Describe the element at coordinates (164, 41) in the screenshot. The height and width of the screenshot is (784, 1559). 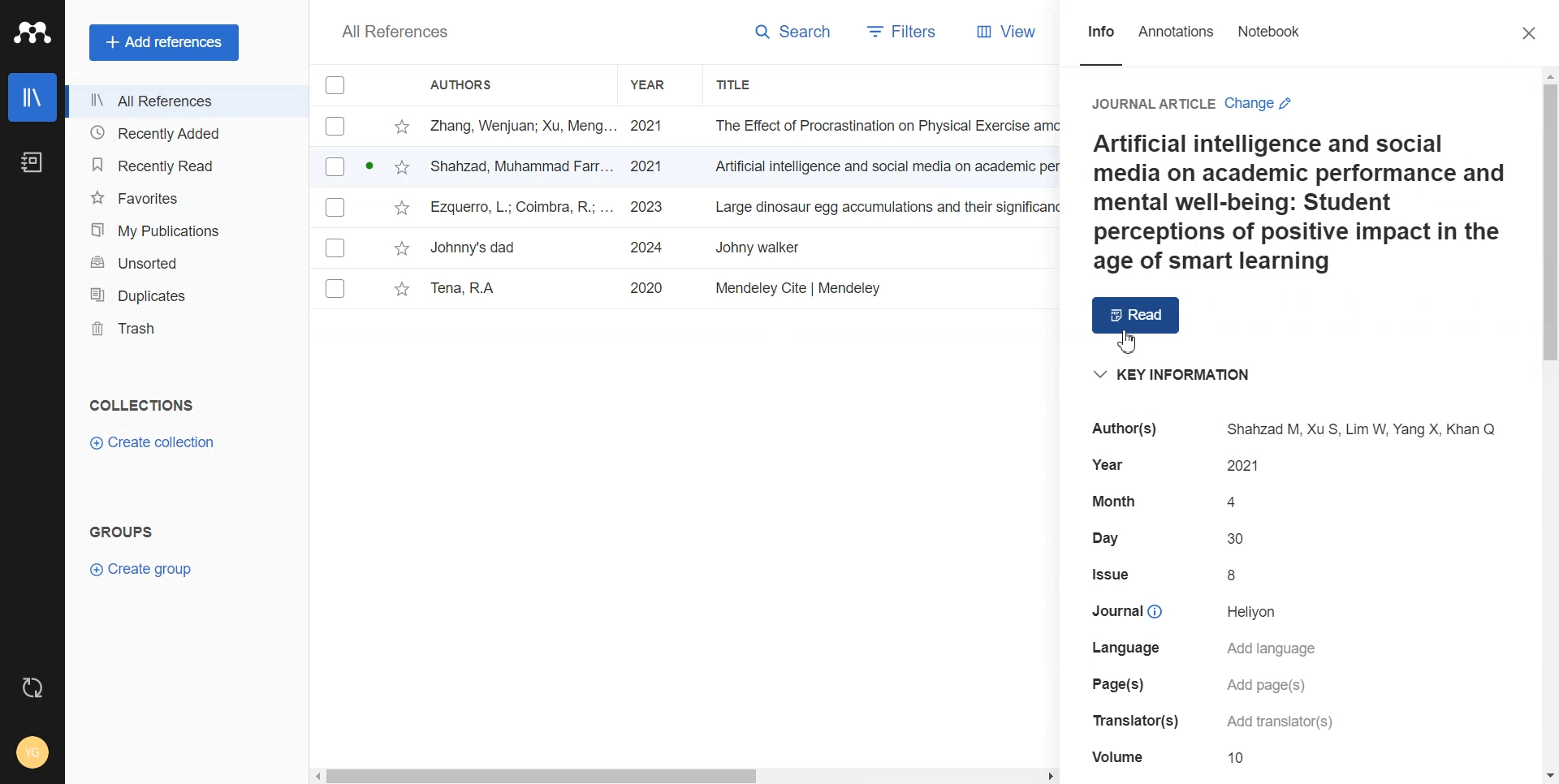
I see `Add references` at that location.